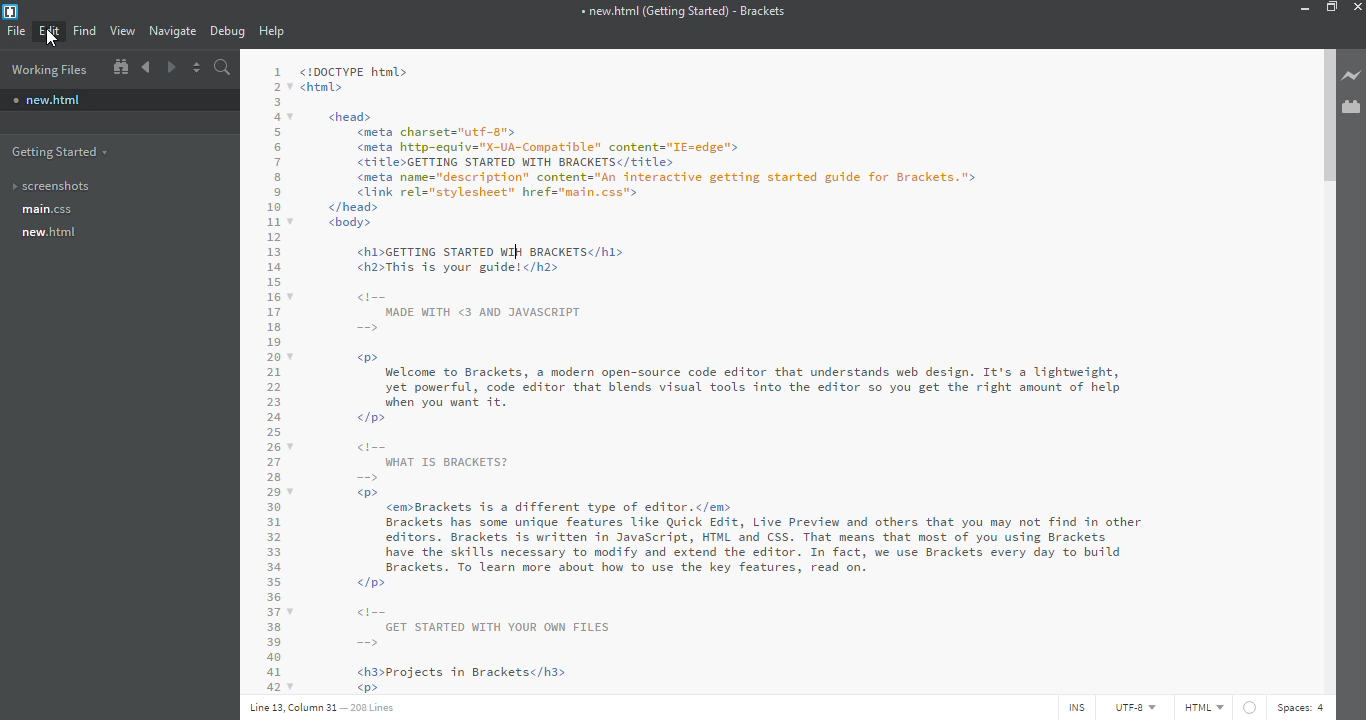 This screenshot has height=720, width=1366. Describe the element at coordinates (223, 67) in the screenshot. I see `search` at that location.